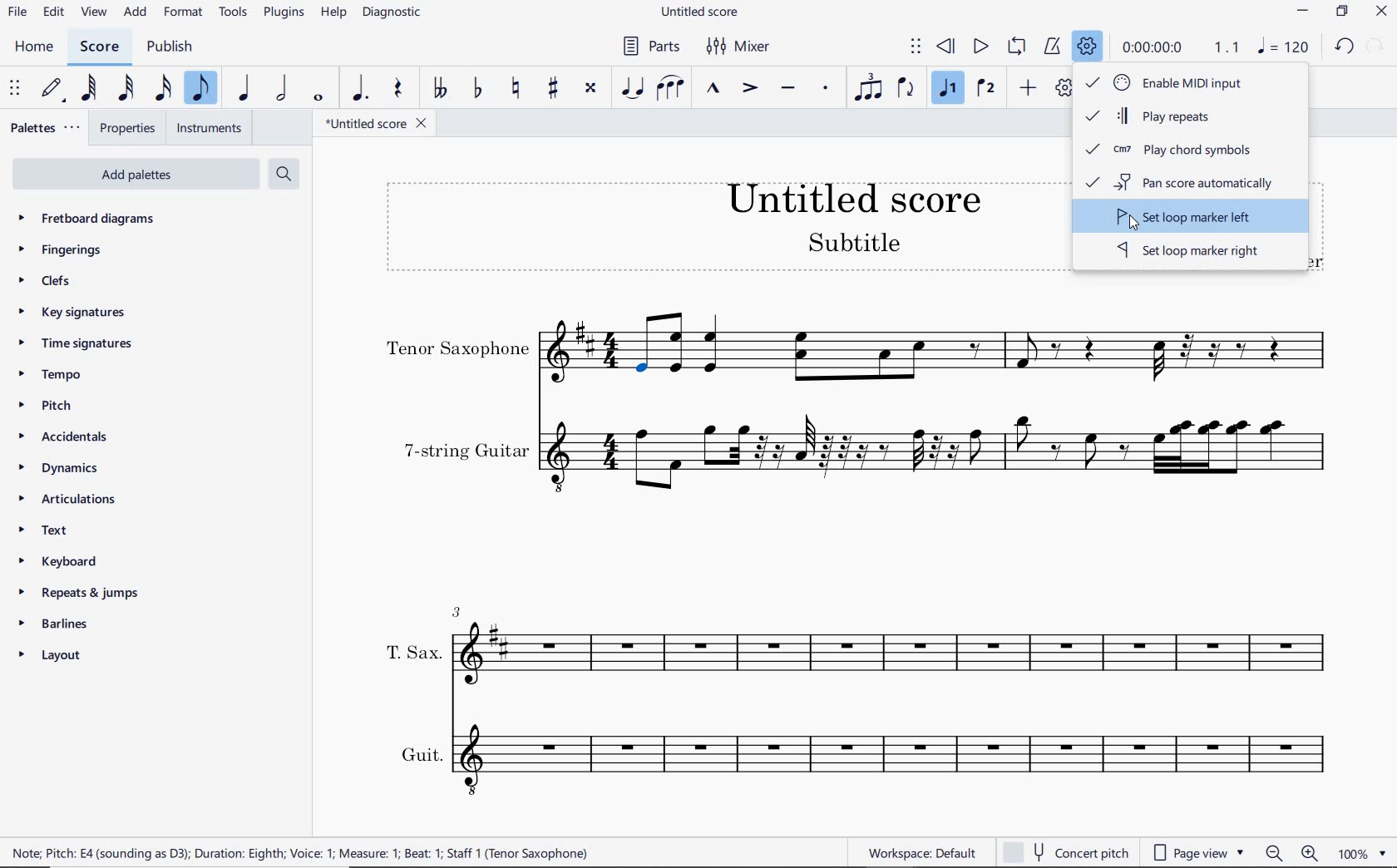 The height and width of the screenshot is (868, 1397). Describe the element at coordinates (926, 851) in the screenshot. I see `WORKSPACE: DEFAULT` at that location.